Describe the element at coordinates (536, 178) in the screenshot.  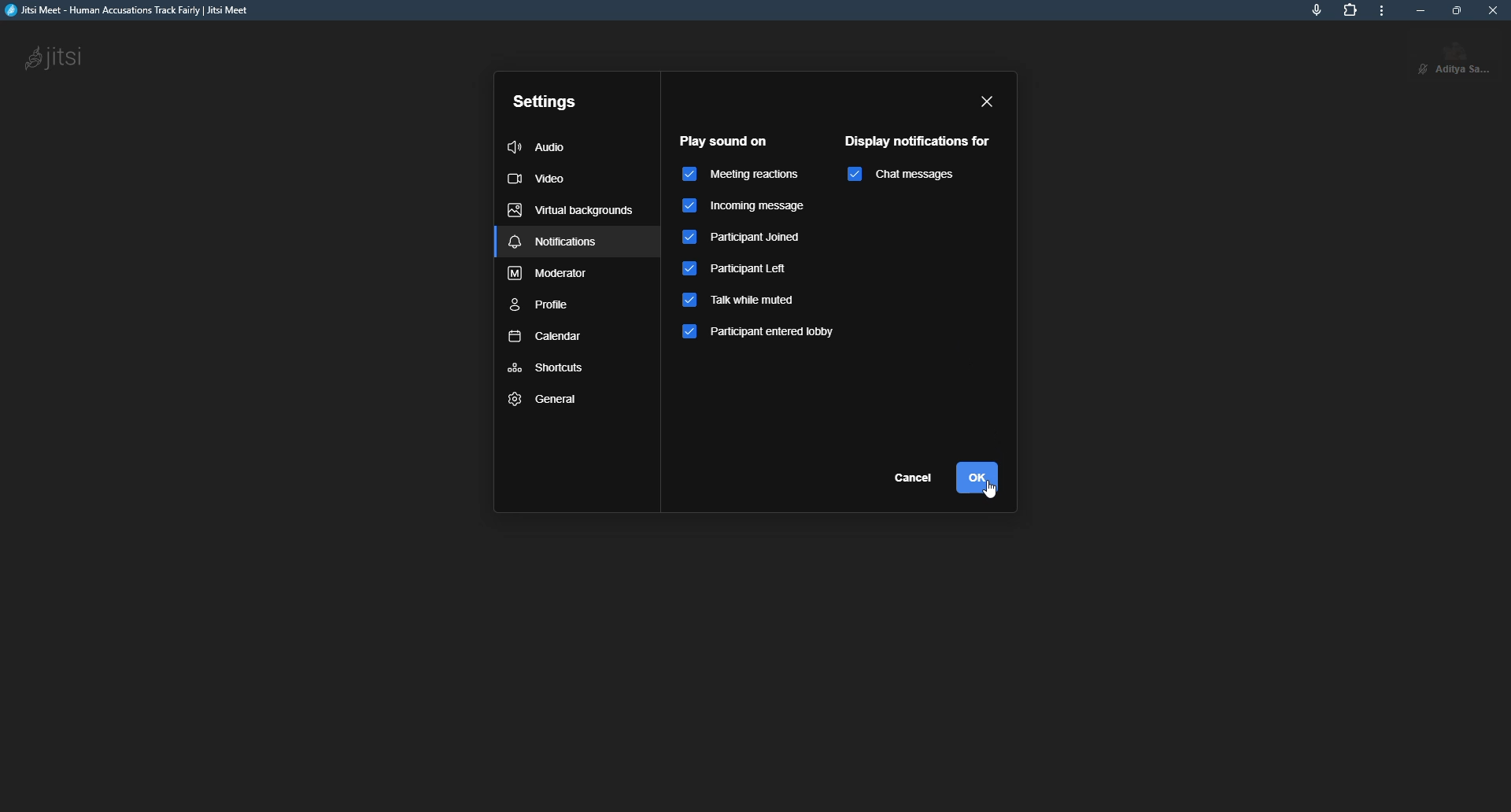
I see `video` at that location.